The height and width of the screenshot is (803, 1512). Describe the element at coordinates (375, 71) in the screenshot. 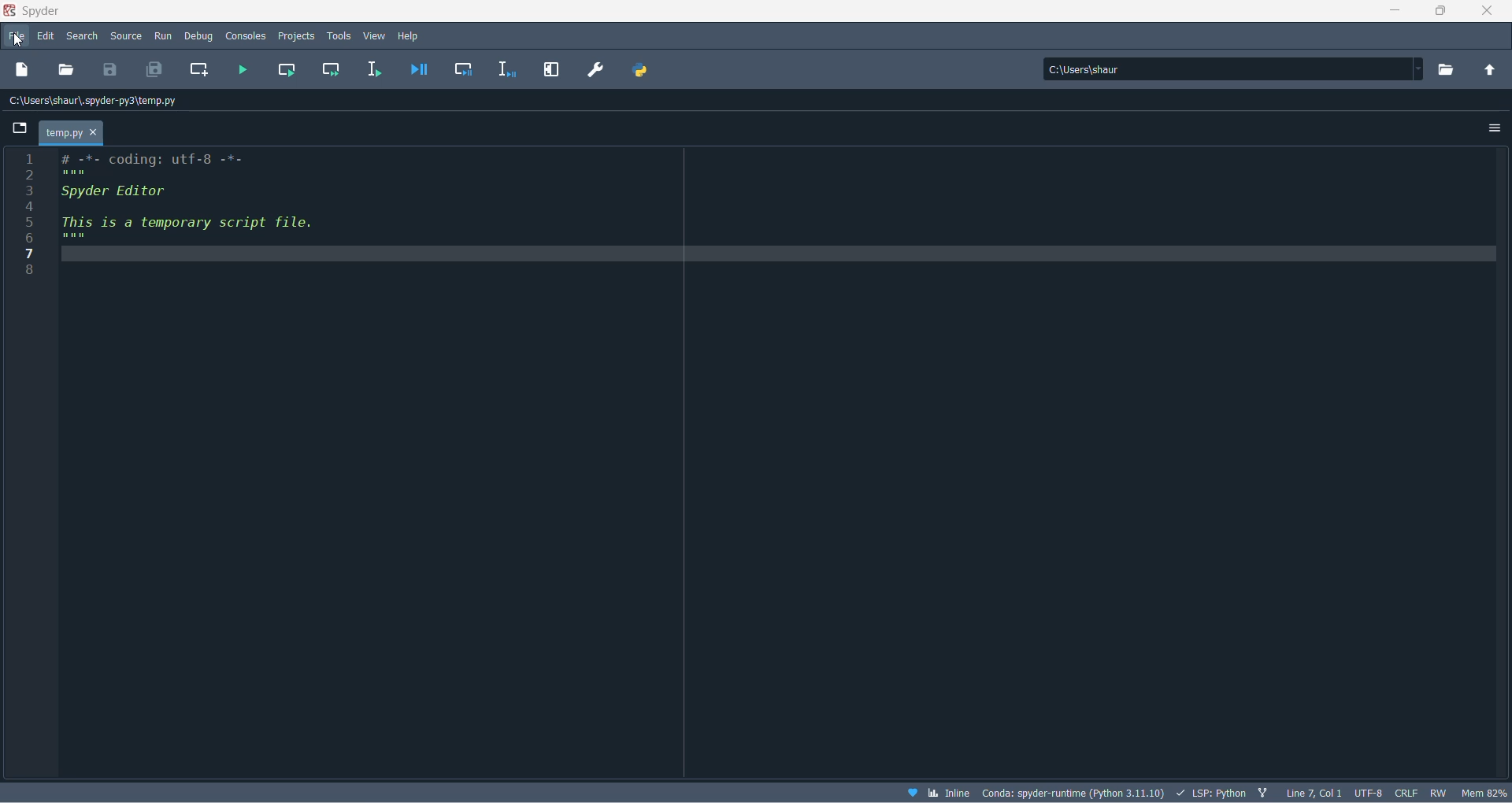

I see `run selection` at that location.